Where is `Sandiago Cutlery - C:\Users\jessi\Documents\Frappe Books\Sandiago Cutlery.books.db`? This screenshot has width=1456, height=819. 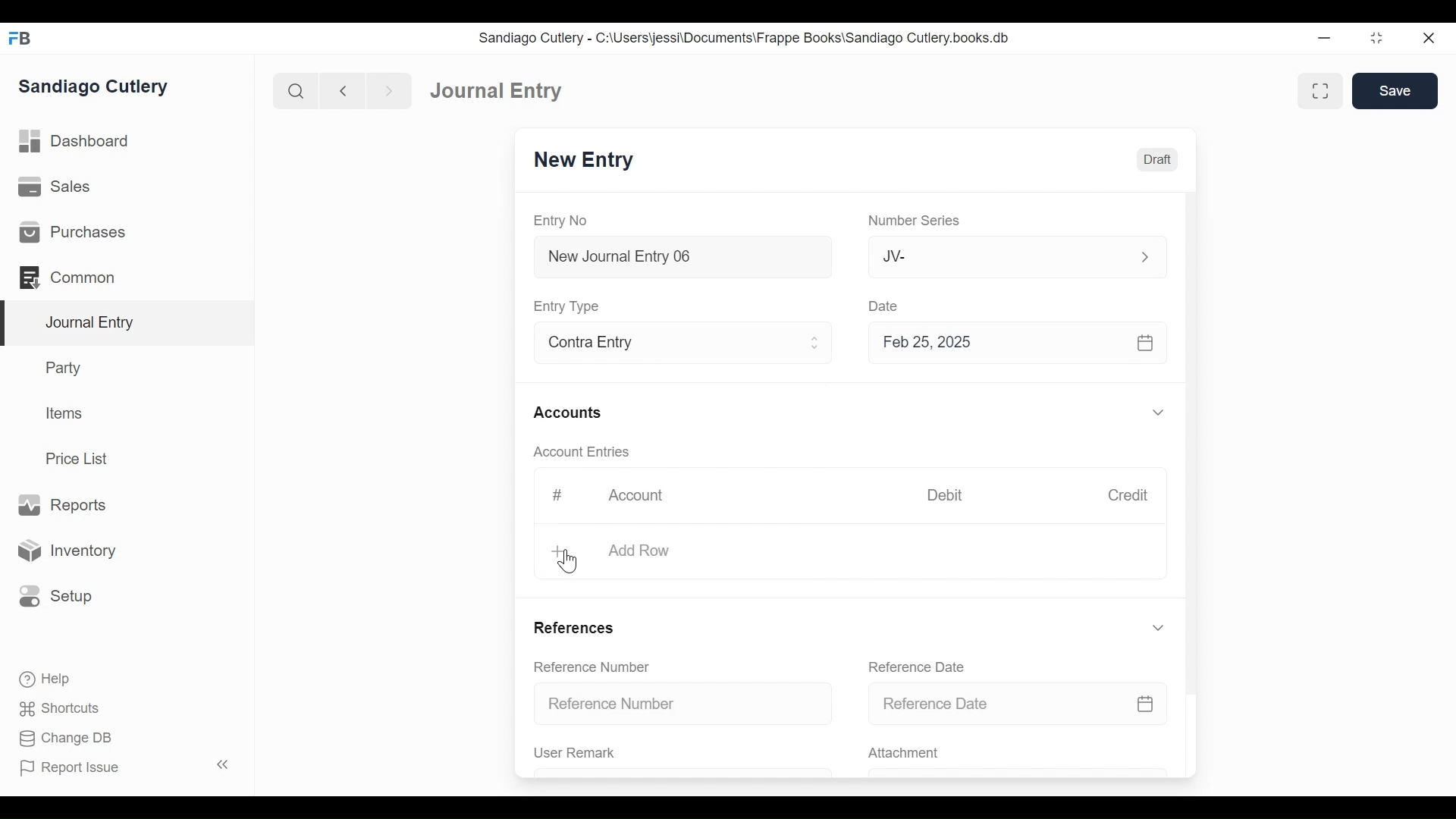 Sandiago Cutlery - C:\Users\jessi\Documents\Frappe Books\Sandiago Cutlery.books.db is located at coordinates (745, 38).